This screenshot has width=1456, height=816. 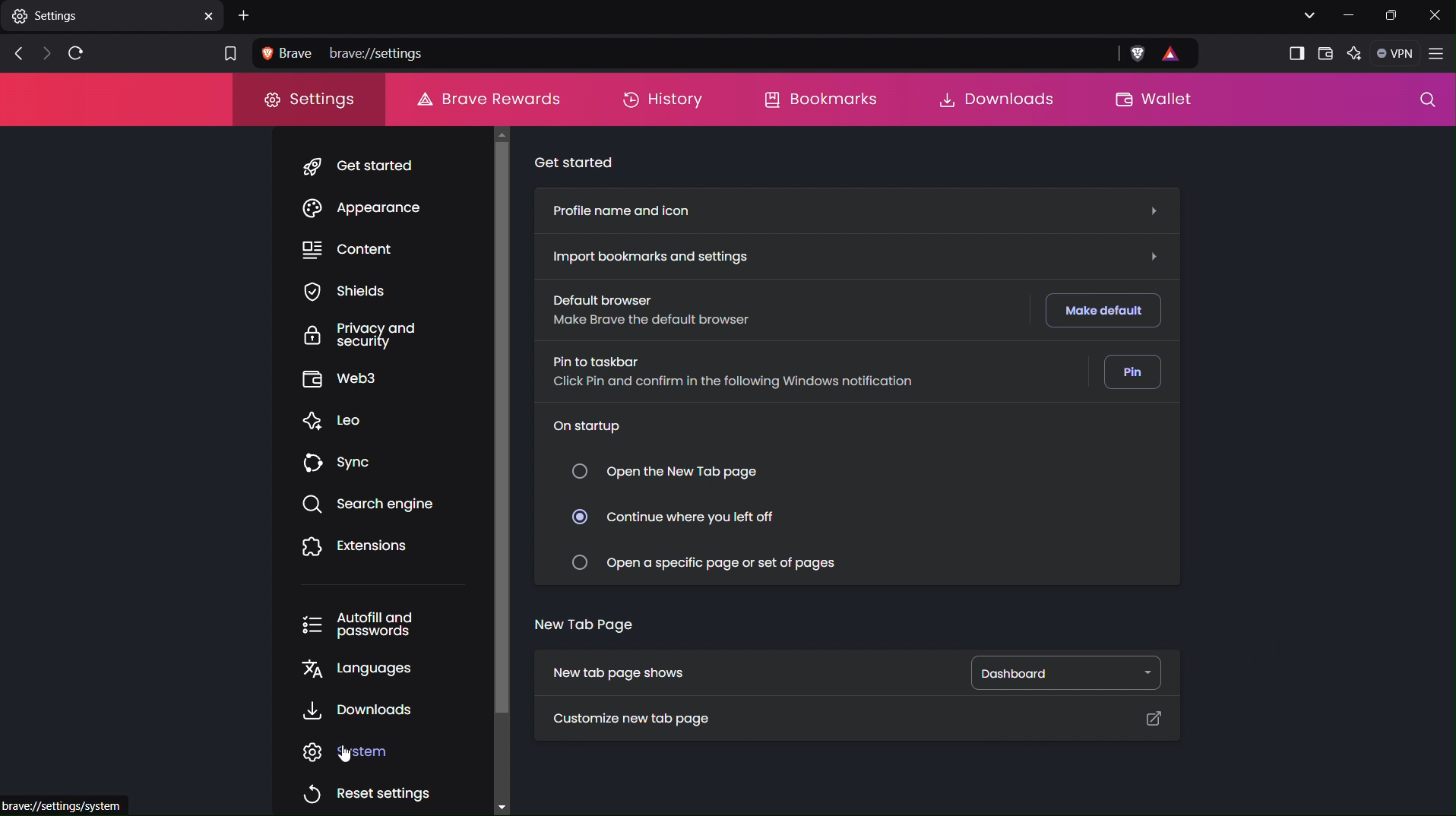 I want to click on Privacy and security, so click(x=365, y=336).